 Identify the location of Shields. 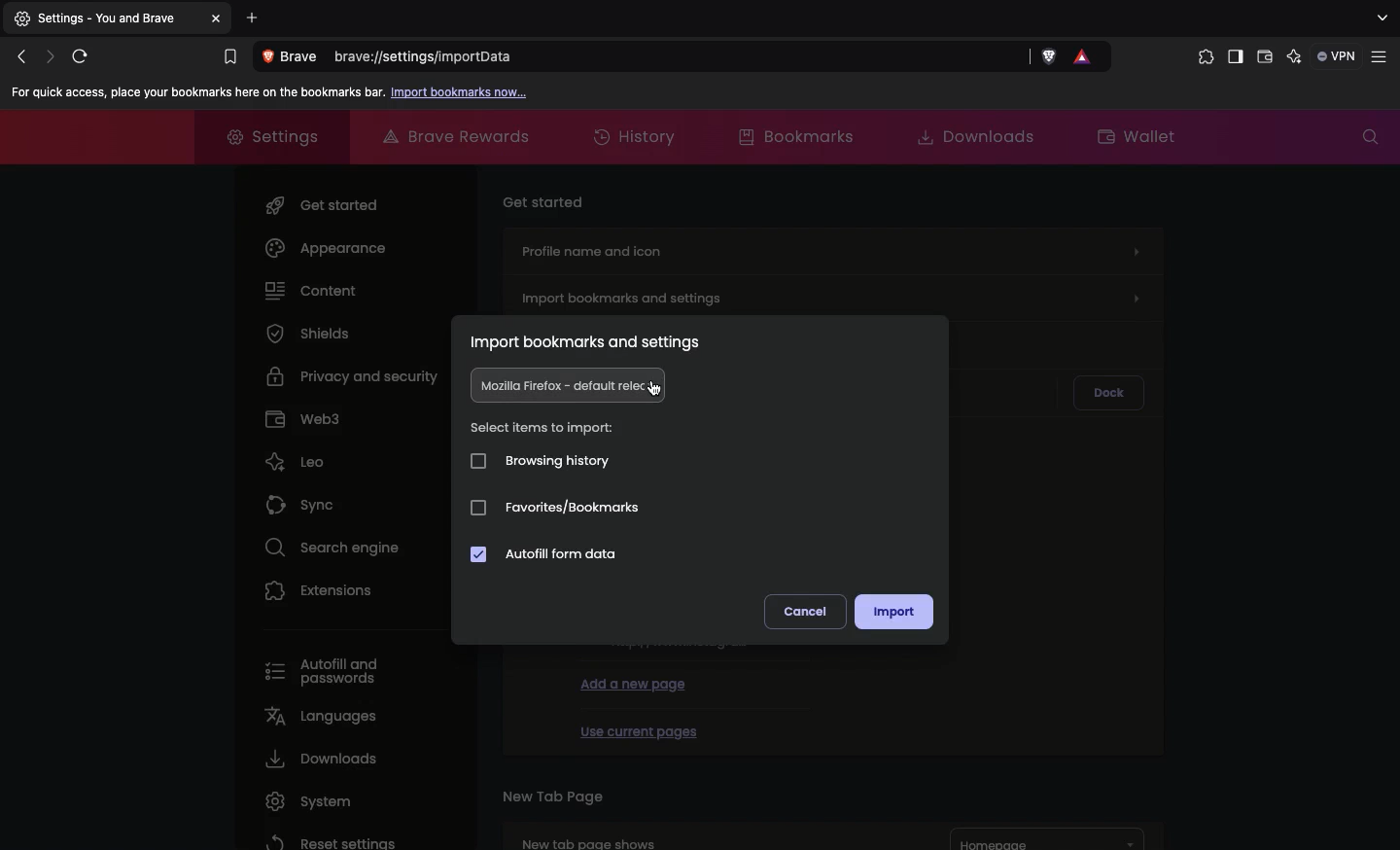
(308, 333).